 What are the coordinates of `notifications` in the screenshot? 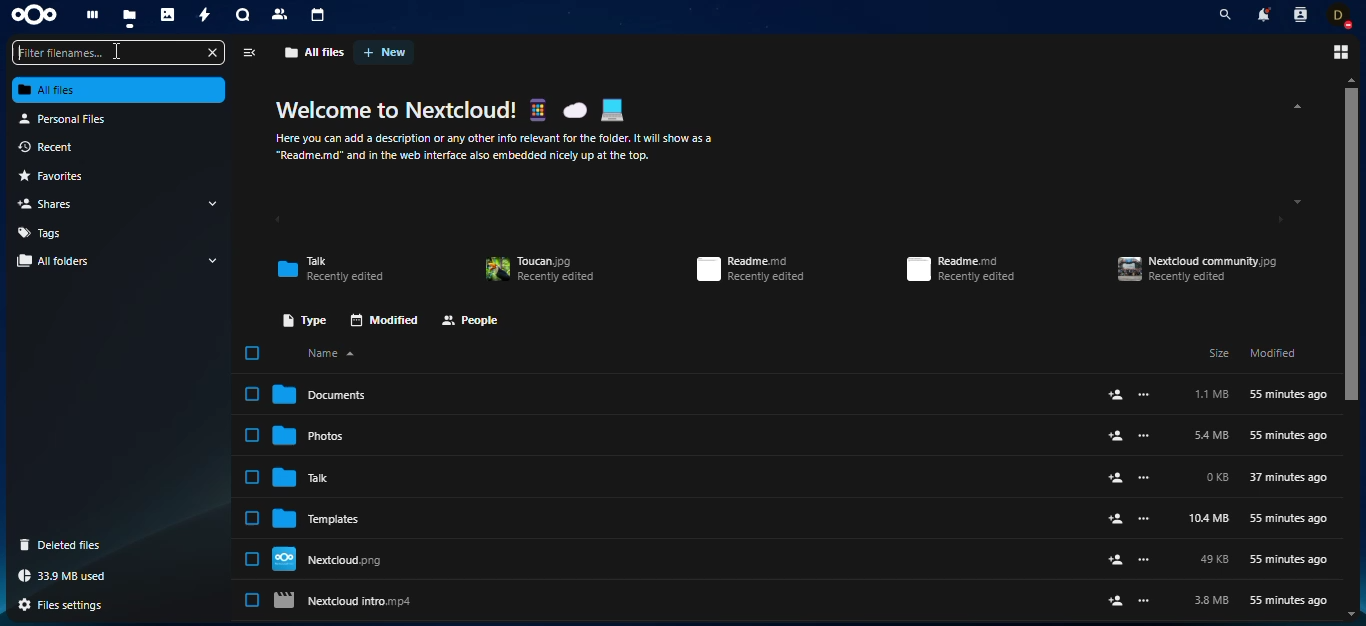 It's located at (1262, 14).